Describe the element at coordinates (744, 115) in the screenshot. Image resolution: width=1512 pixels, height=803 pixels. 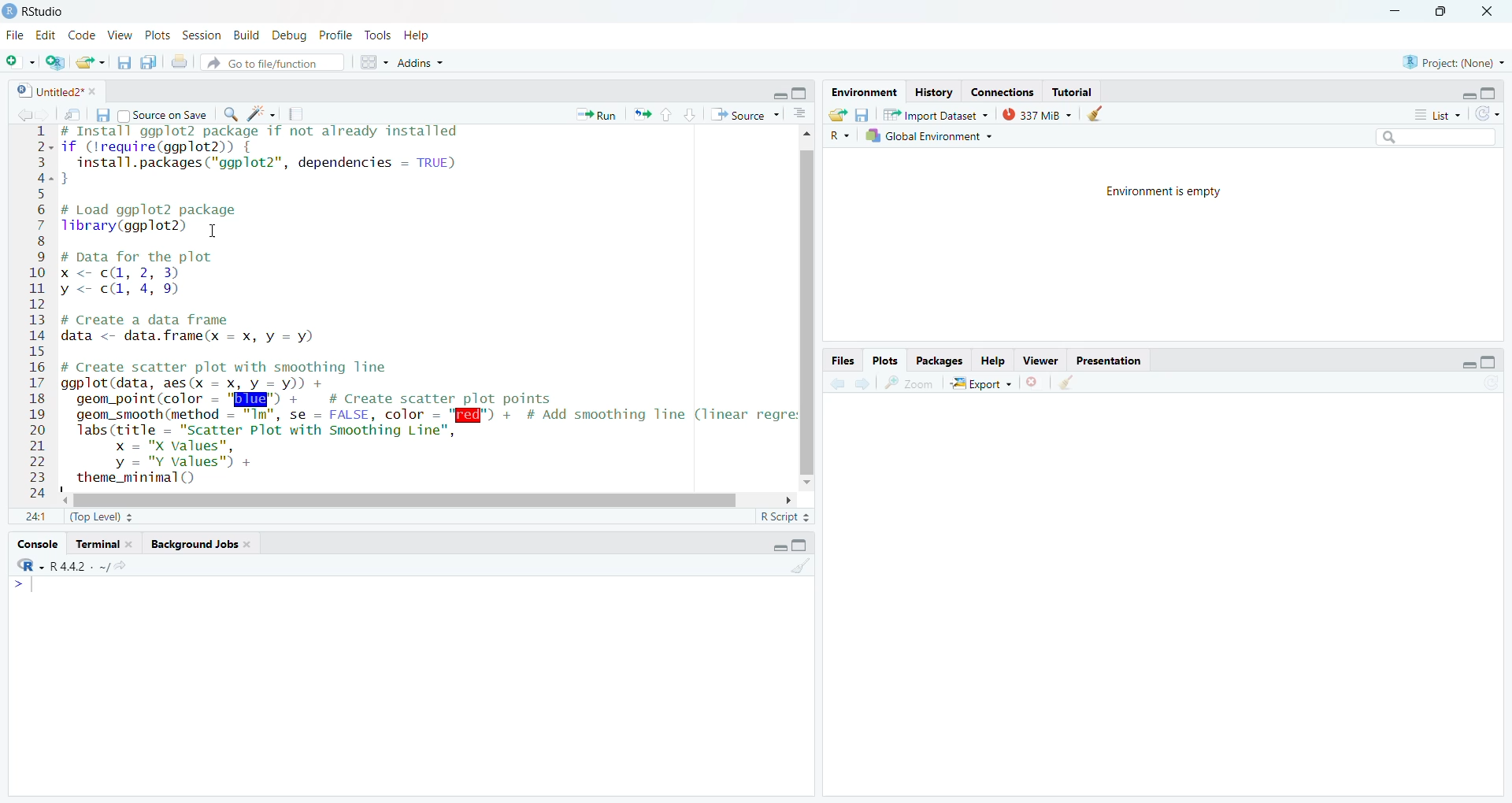
I see `Source ` at that location.